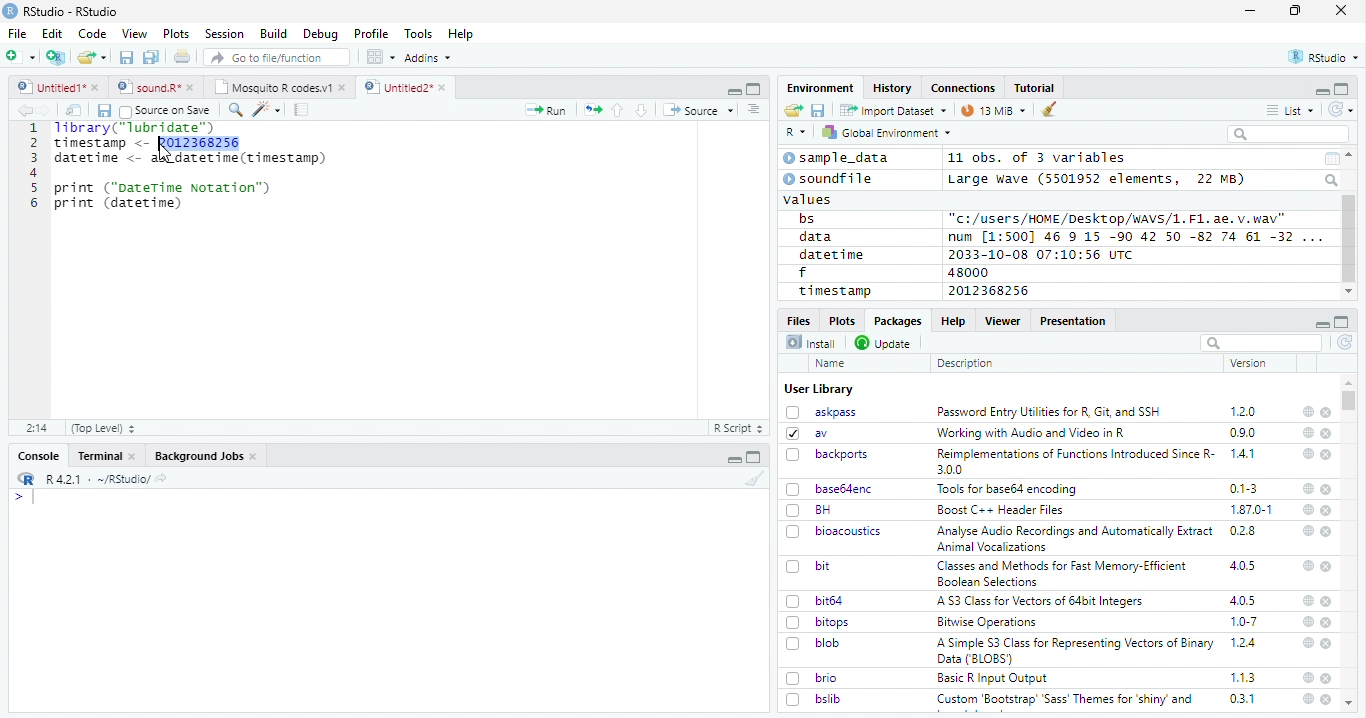 This screenshot has height=718, width=1366. I want to click on bioacoustics, so click(834, 531).